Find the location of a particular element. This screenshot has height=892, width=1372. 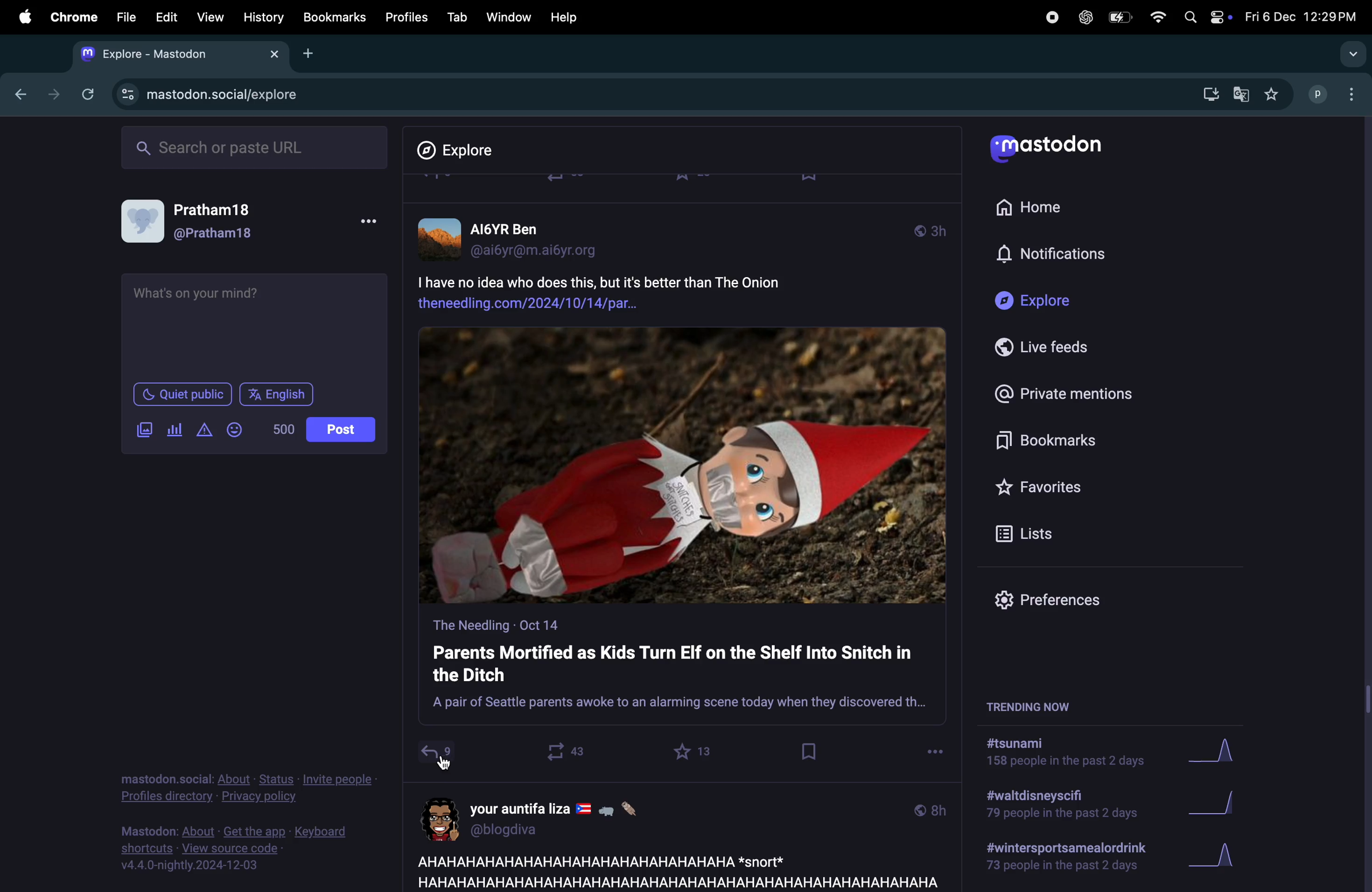

user profile is located at coordinates (550, 817).